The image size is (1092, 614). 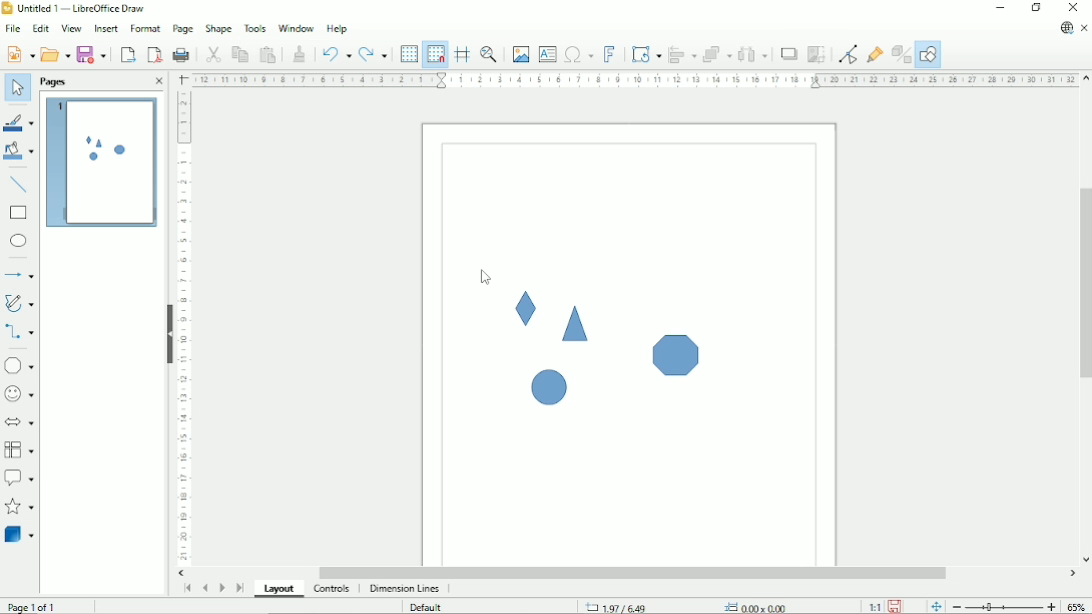 What do you see at coordinates (846, 53) in the screenshot?
I see `Toggle point edit mode` at bounding box center [846, 53].